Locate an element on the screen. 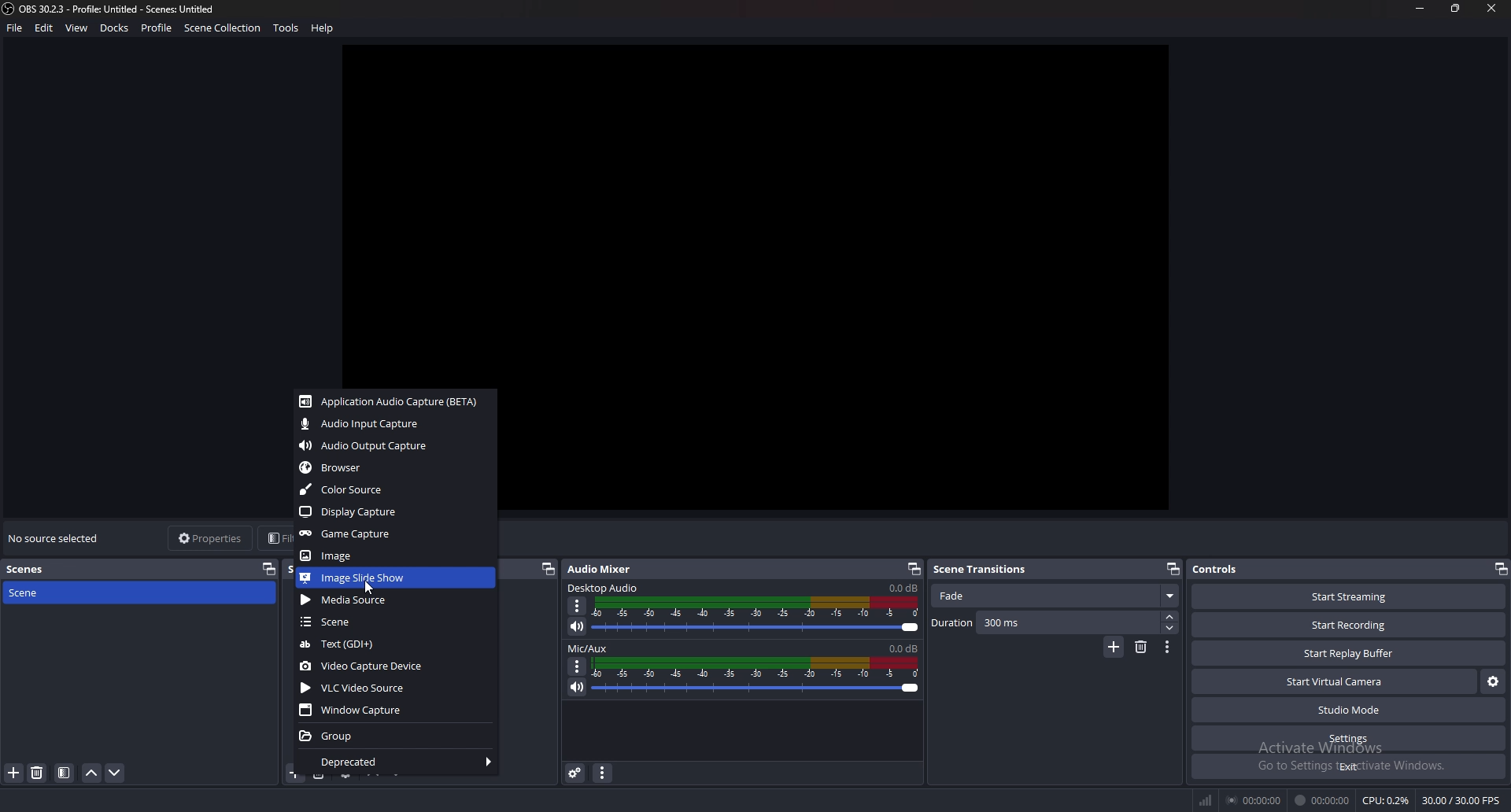 This screenshot has width=1511, height=812. docks is located at coordinates (114, 28).